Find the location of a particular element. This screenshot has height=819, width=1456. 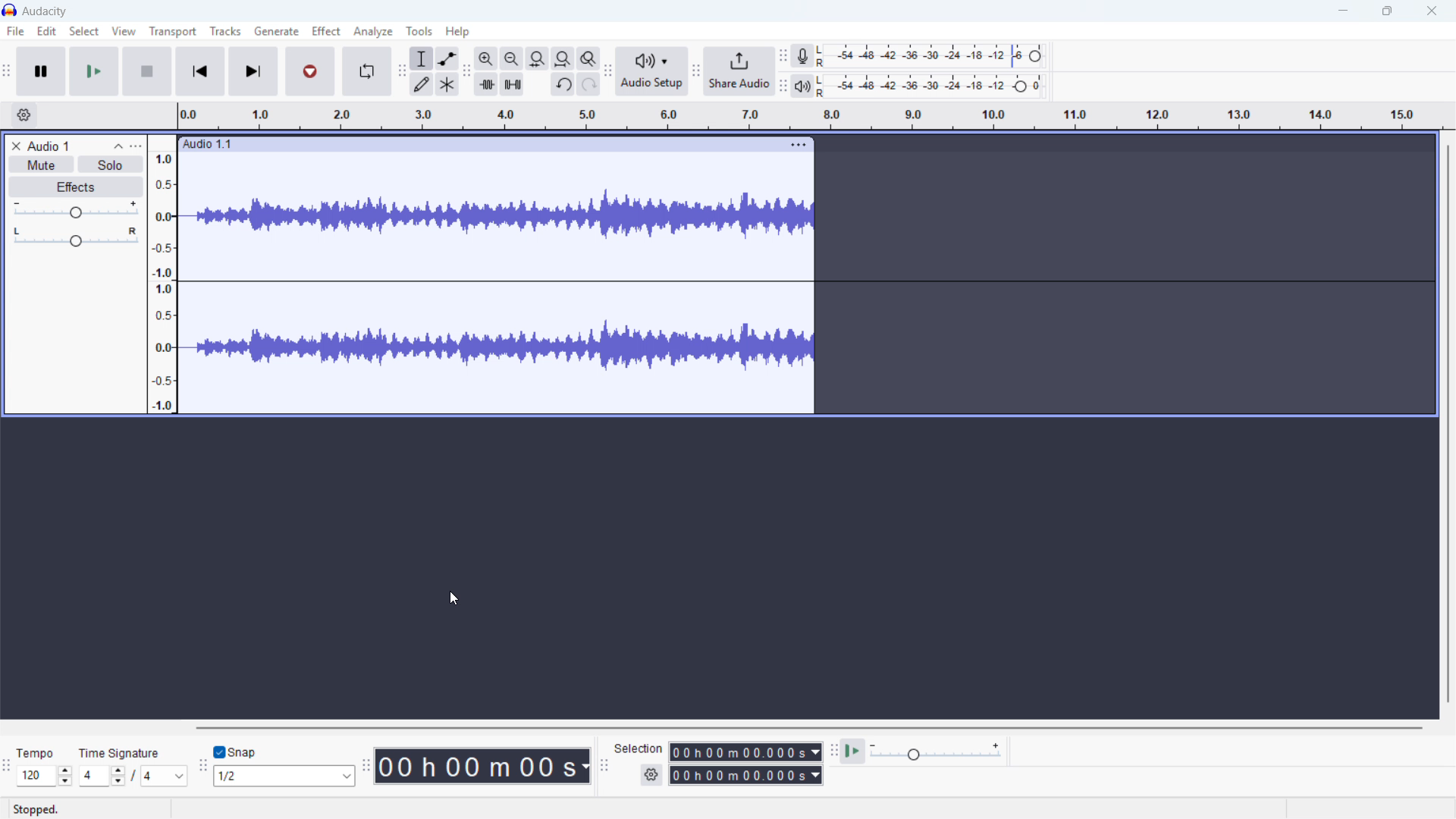

Recording metre  is located at coordinates (802, 56).